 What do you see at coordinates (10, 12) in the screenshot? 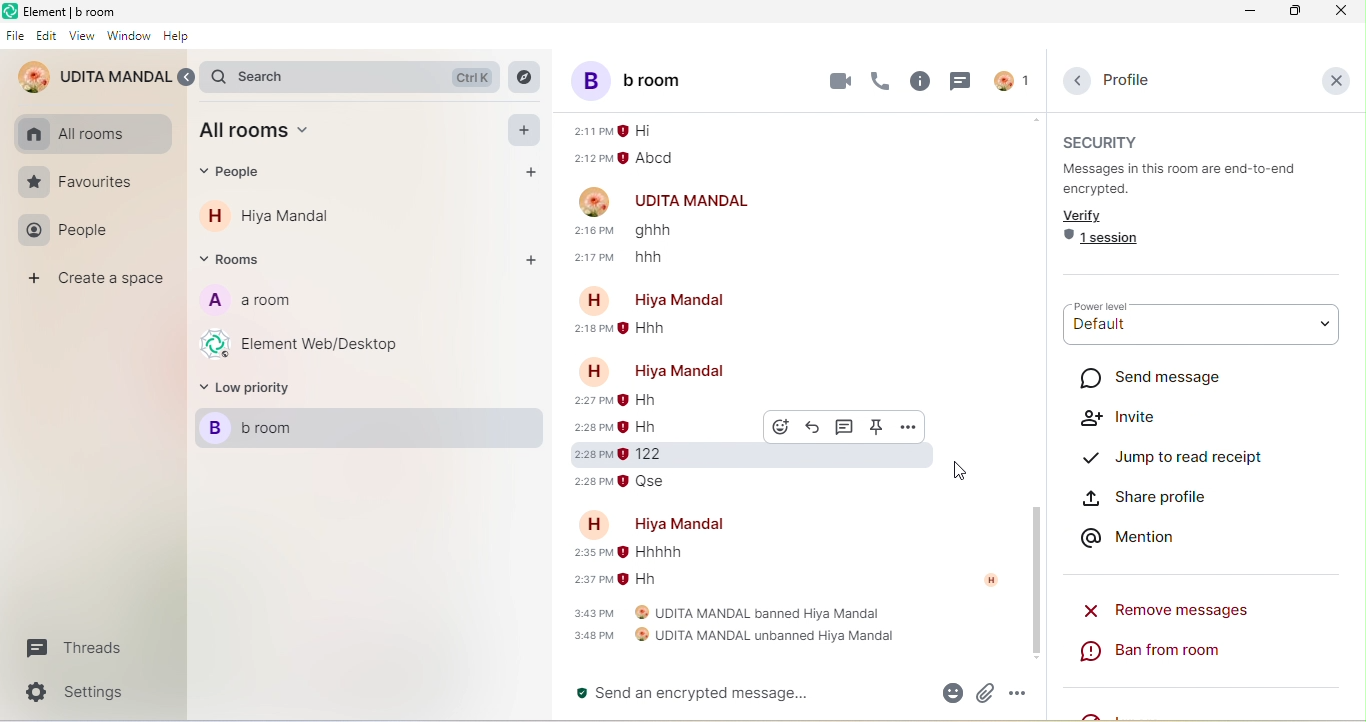
I see `element logo` at bounding box center [10, 12].